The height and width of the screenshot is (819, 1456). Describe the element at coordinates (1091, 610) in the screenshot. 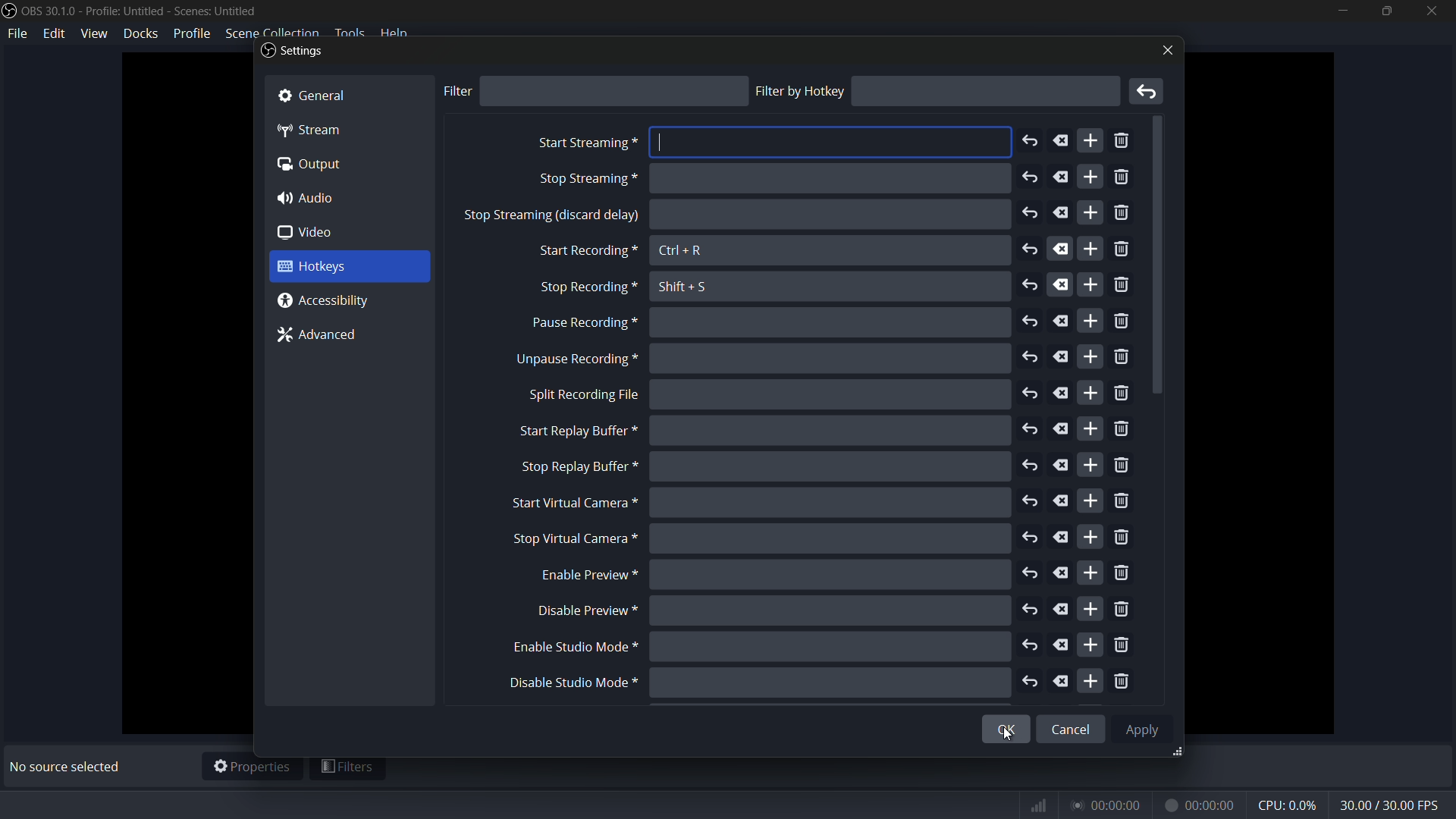

I see `add more` at that location.